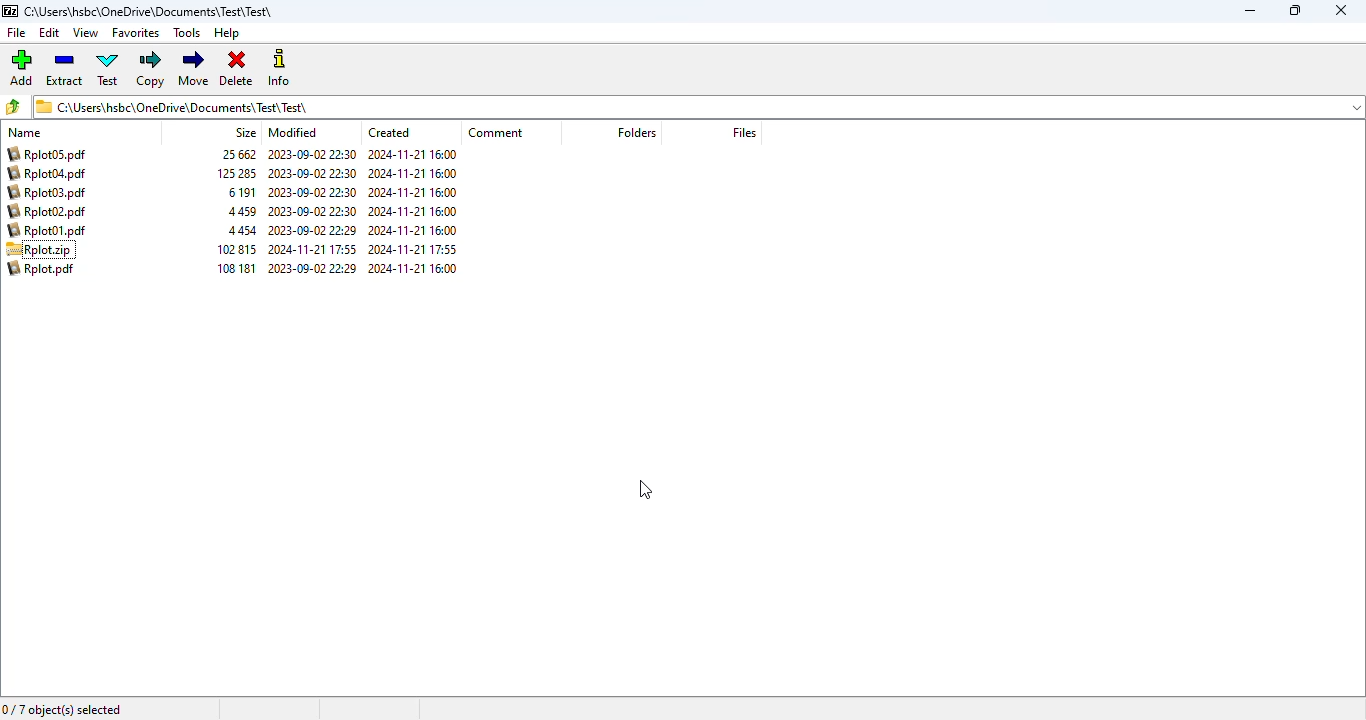 The height and width of the screenshot is (720, 1366). Describe the element at coordinates (135, 33) in the screenshot. I see `favorites` at that location.